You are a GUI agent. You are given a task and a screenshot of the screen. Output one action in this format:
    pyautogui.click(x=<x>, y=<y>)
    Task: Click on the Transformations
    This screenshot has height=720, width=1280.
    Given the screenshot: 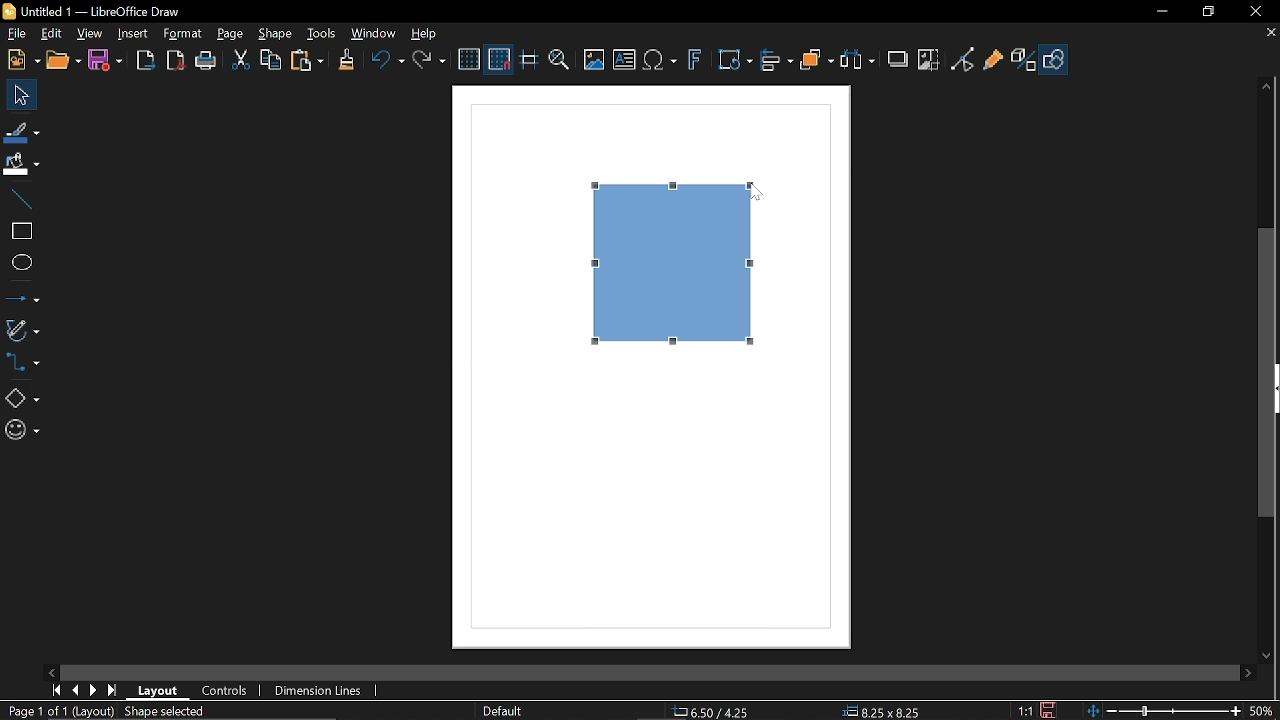 What is the action you would take?
    pyautogui.click(x=735, y=61)
    